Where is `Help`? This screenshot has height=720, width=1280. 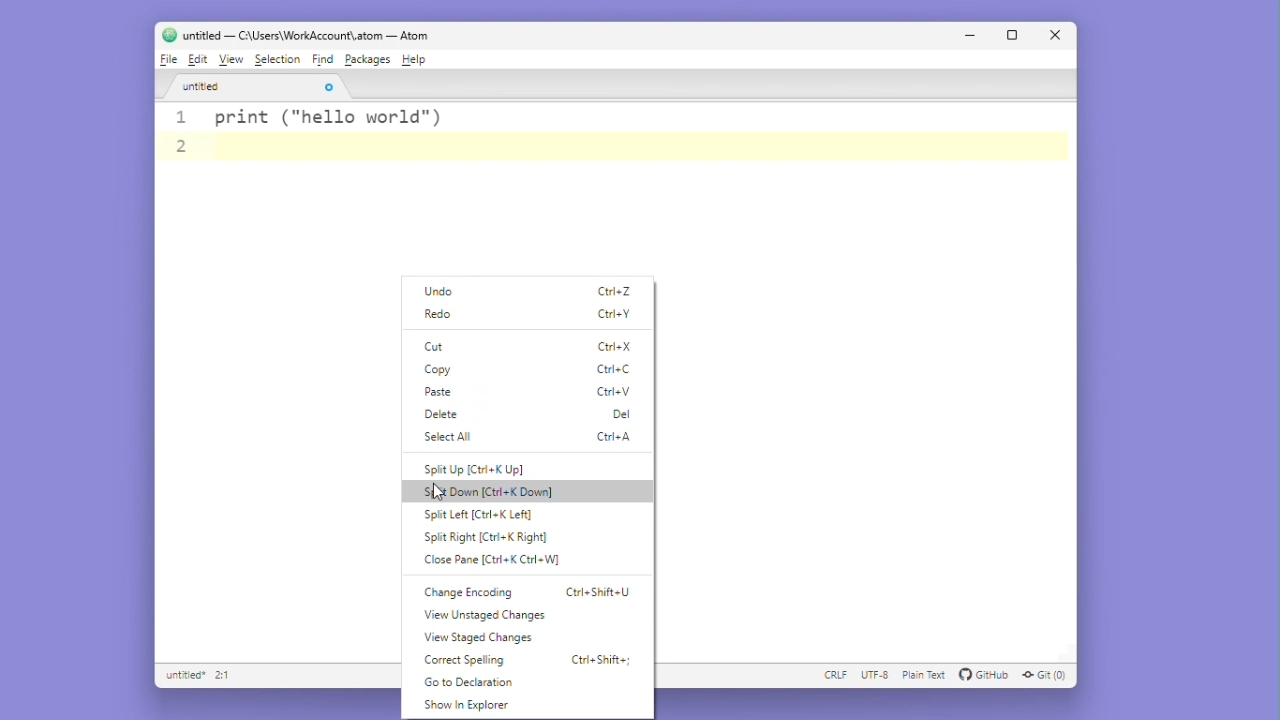
Help is located at coordinates (417, 59).